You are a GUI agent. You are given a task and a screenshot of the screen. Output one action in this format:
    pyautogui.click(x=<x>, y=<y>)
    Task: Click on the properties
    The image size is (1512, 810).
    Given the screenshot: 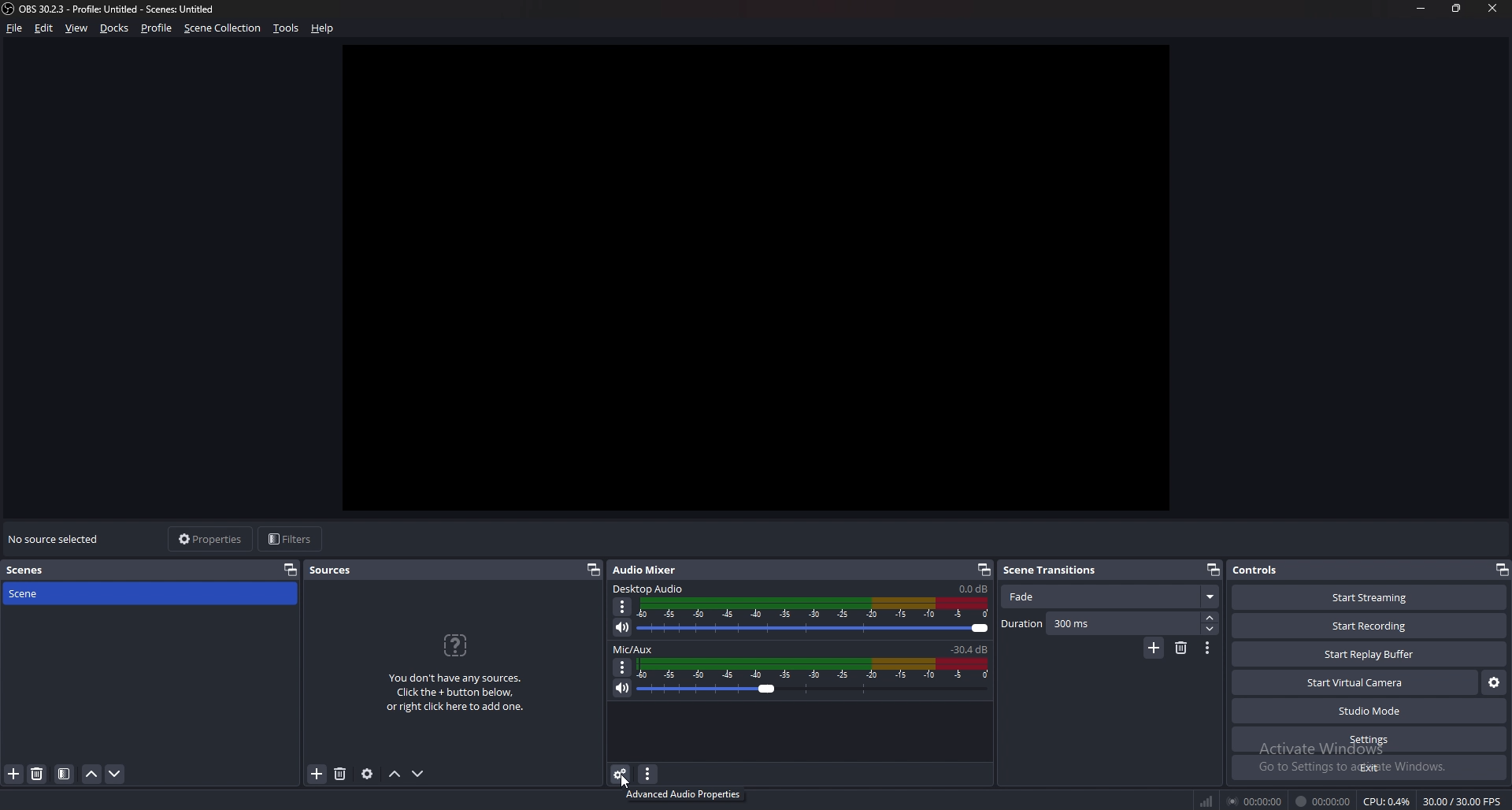 What is the action you would take?
    pyautogui.click(x=213, y=539)
    